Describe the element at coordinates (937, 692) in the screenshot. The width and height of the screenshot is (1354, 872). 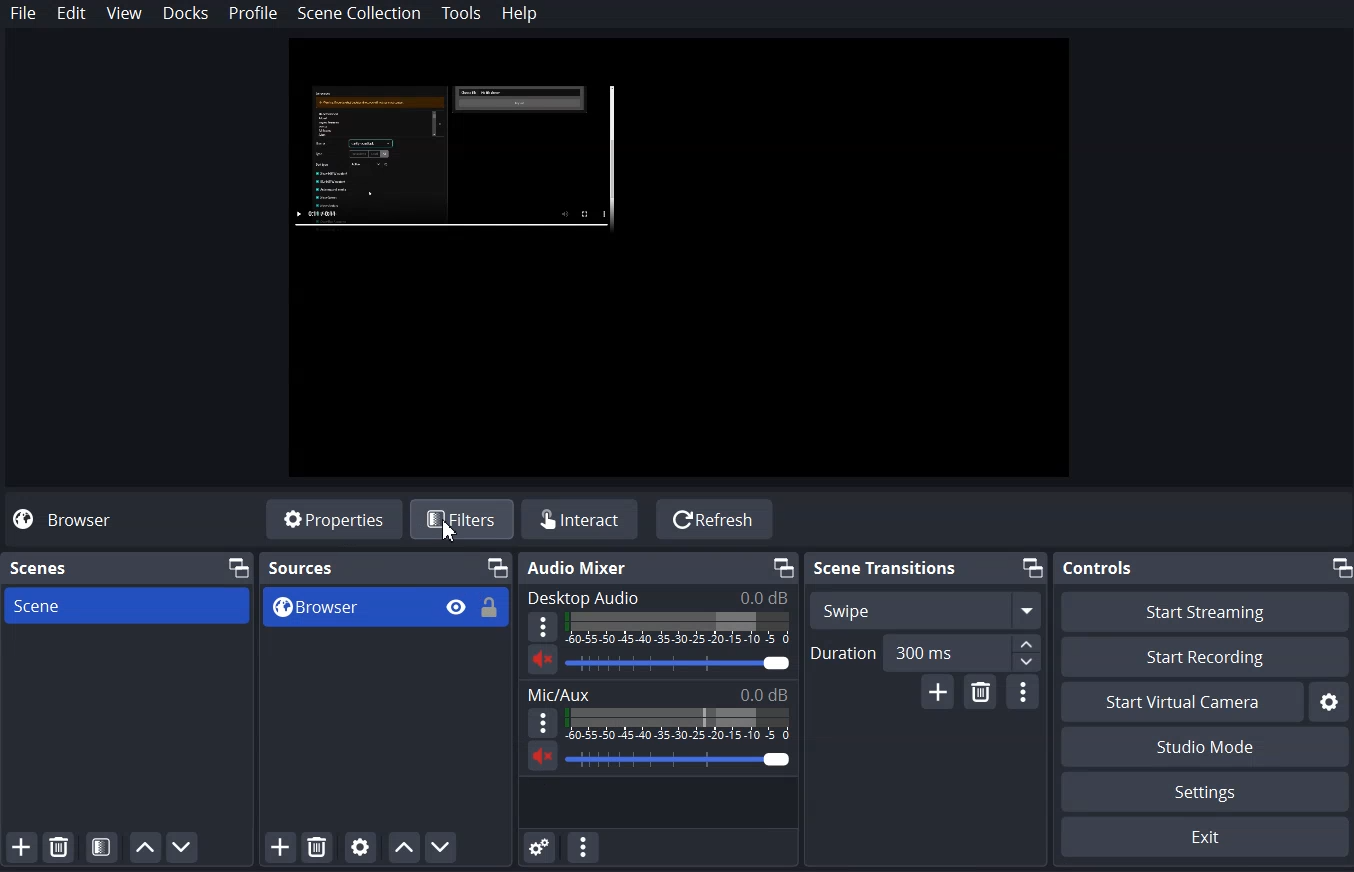
I see `Add Configurable Transition` at that location.